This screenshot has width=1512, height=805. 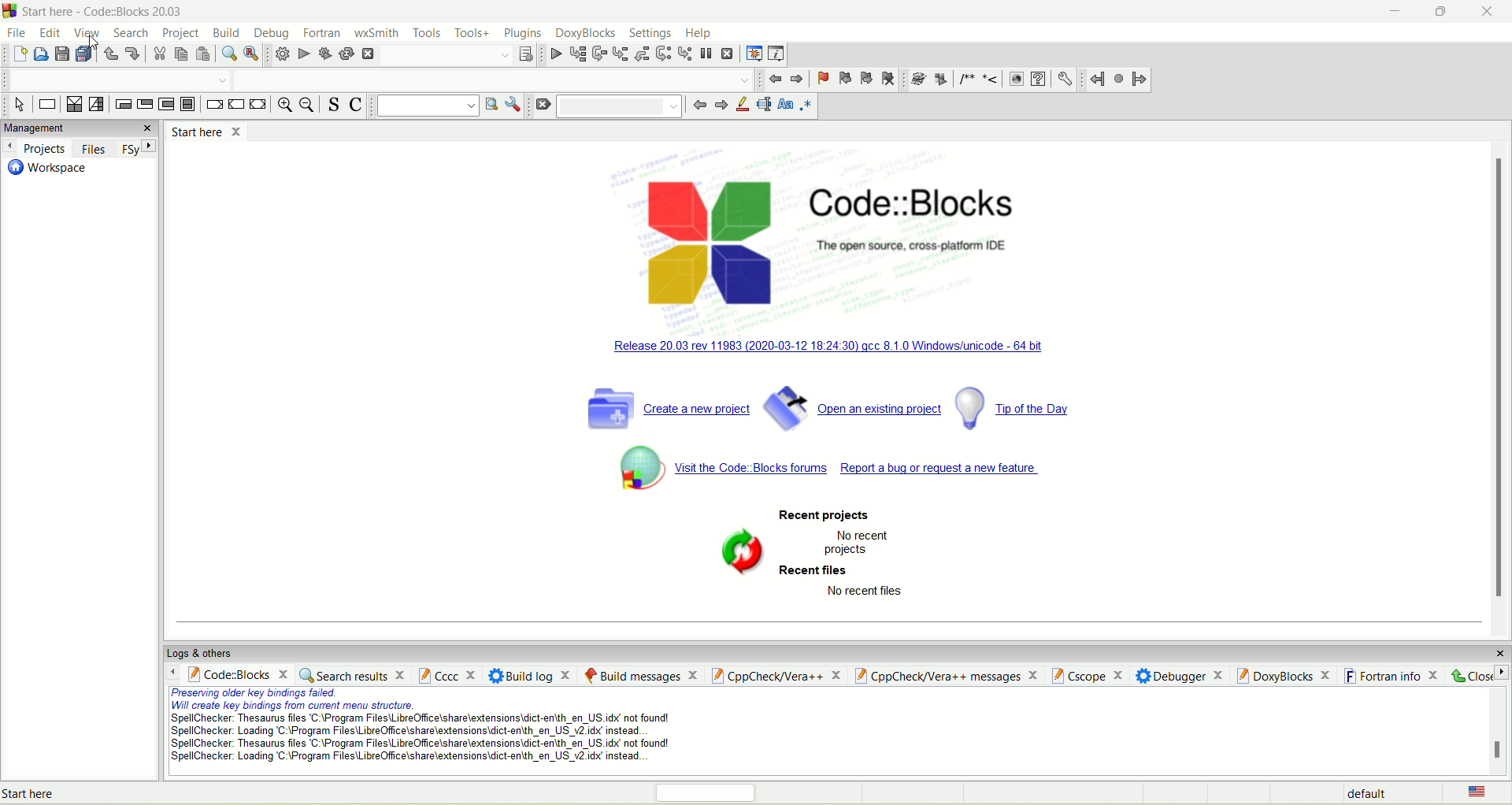 I want to click on maximize, so click(x=1440, y=14).